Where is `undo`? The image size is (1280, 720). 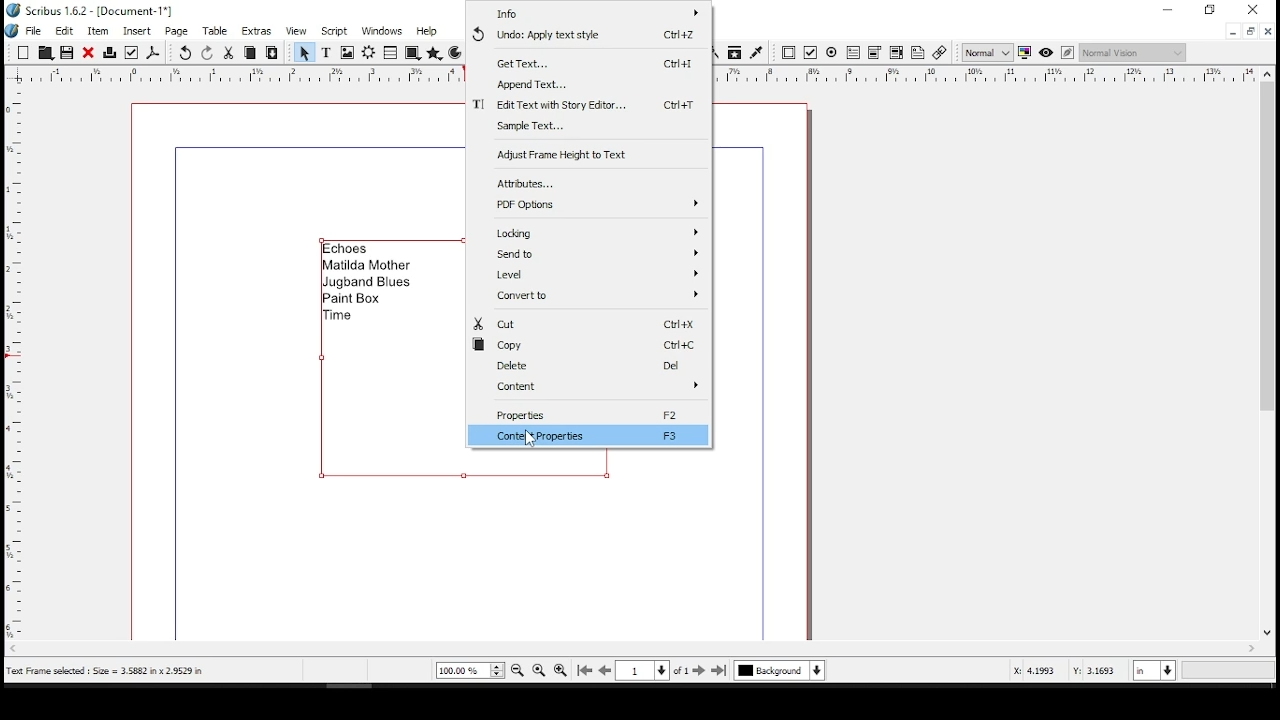 undo is located at coordinates (584, 34).